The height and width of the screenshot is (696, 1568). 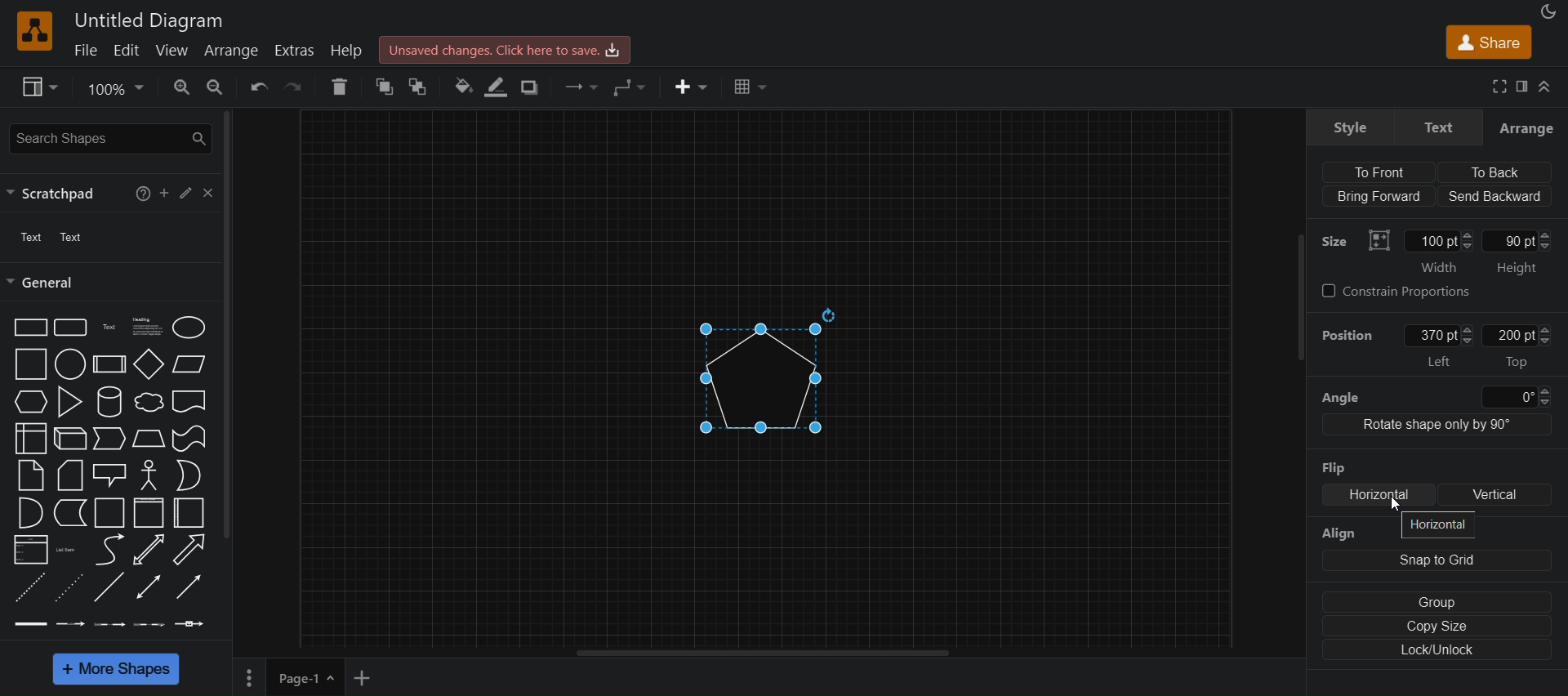 I want to click on Visual representation  of Size, so click(x=1379, y=240).